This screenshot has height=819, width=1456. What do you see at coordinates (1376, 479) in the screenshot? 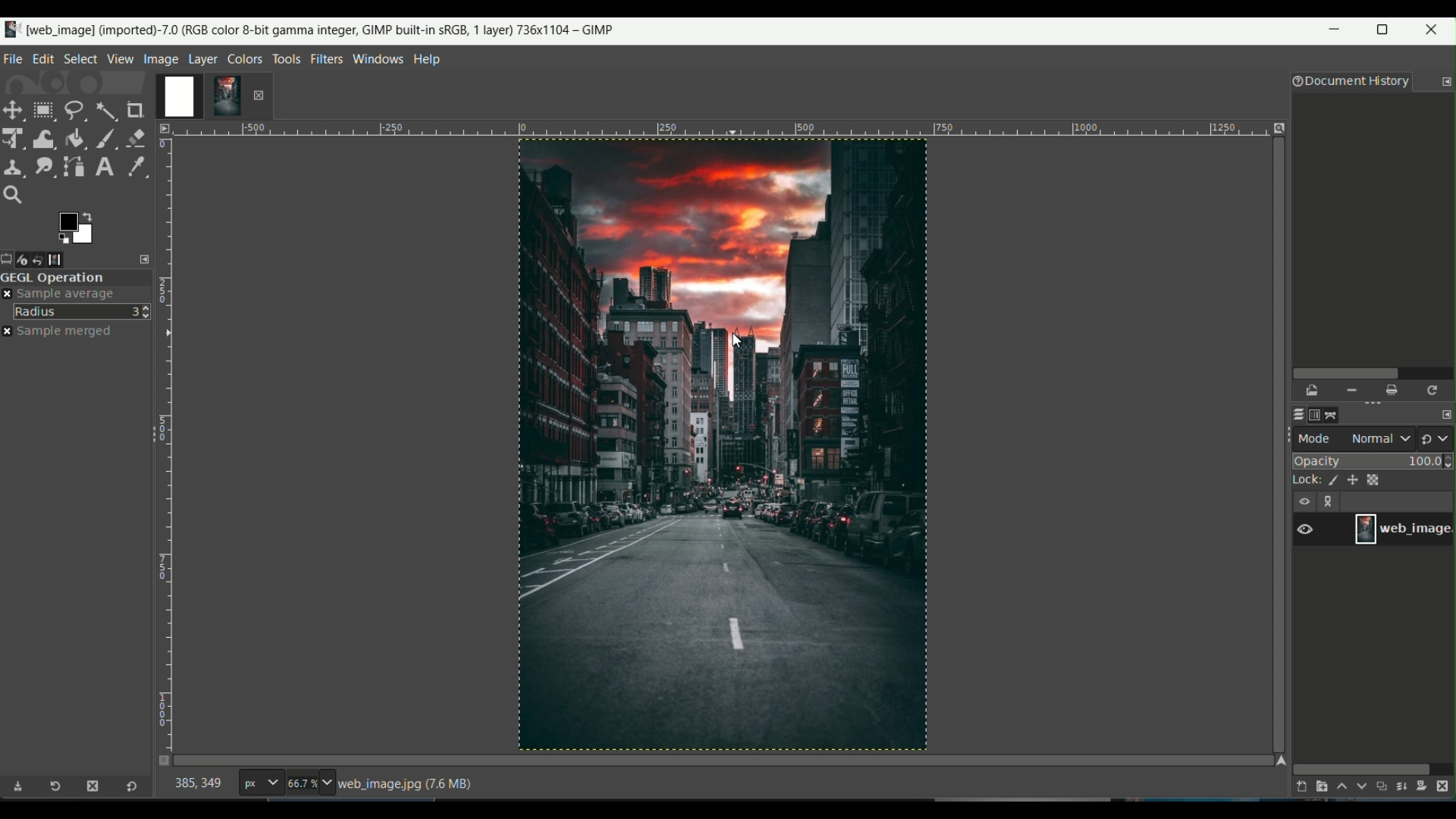
I see `lock alpha channel` at bounding box center [1376, 479].